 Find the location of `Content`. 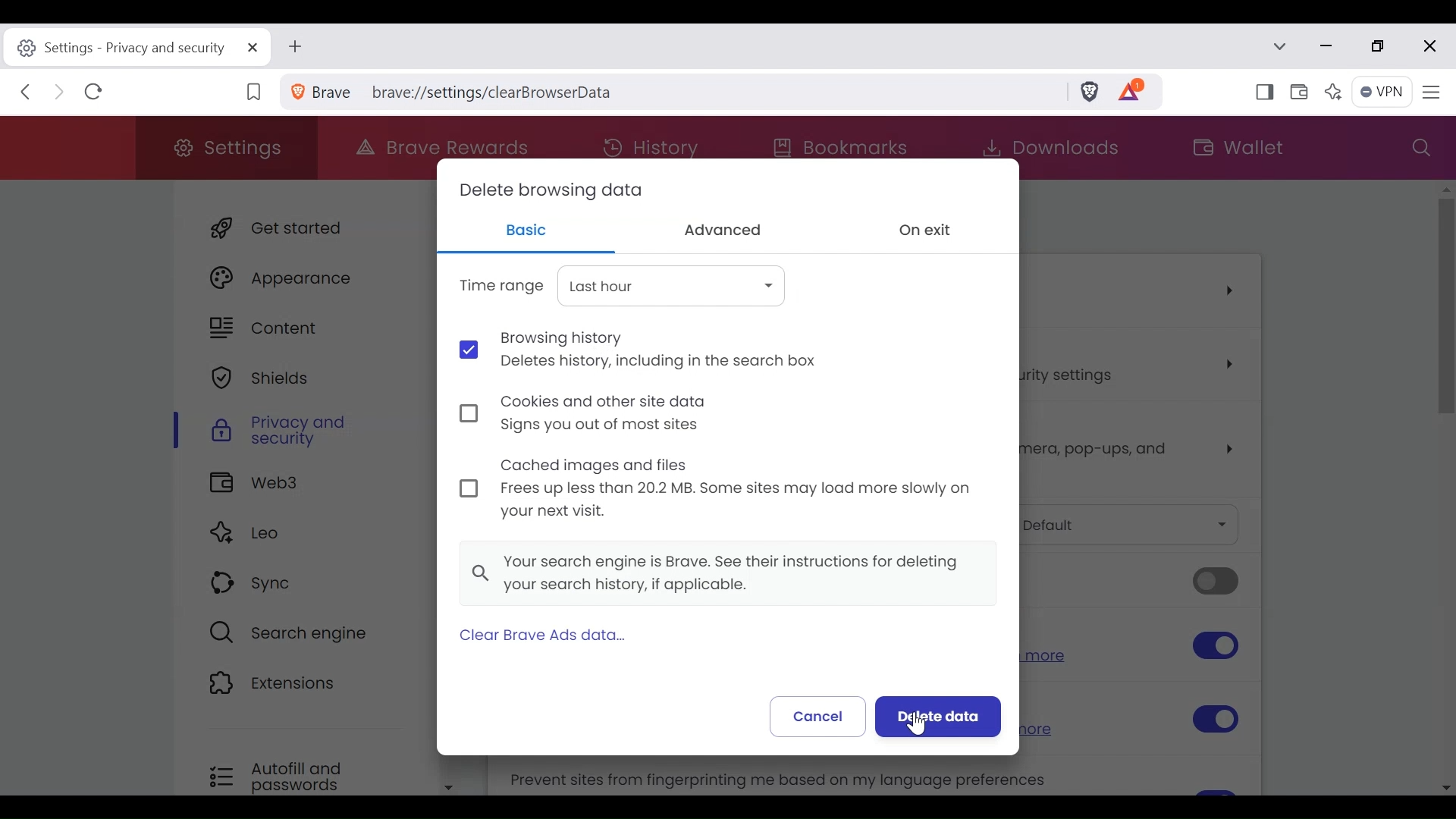

Content is located at coordinates (303, 329).